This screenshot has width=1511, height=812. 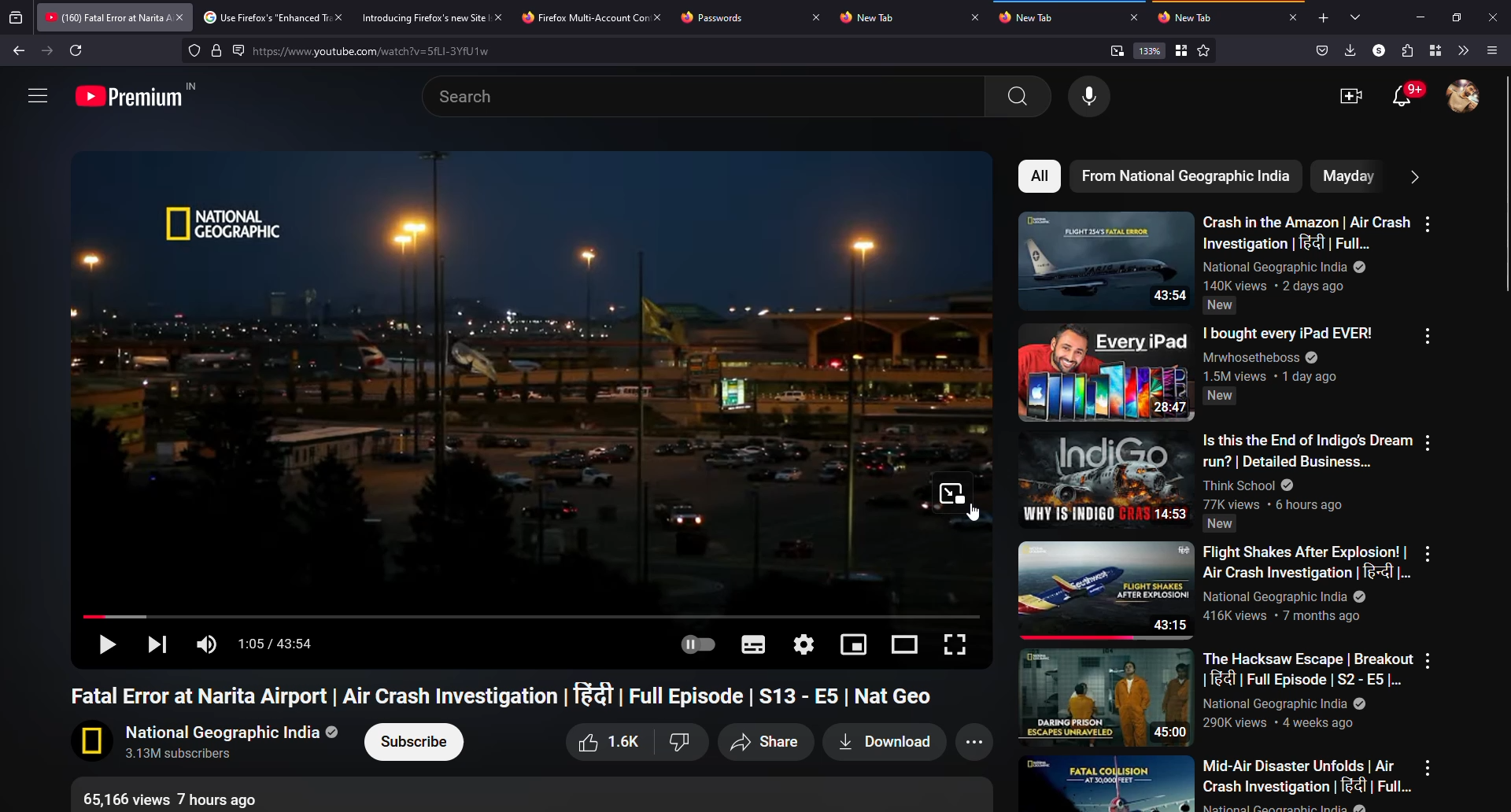 What do you see at coordinates (1420, 17) in the screenshot?
I see `minimize` at bounding box center [1420, 17].